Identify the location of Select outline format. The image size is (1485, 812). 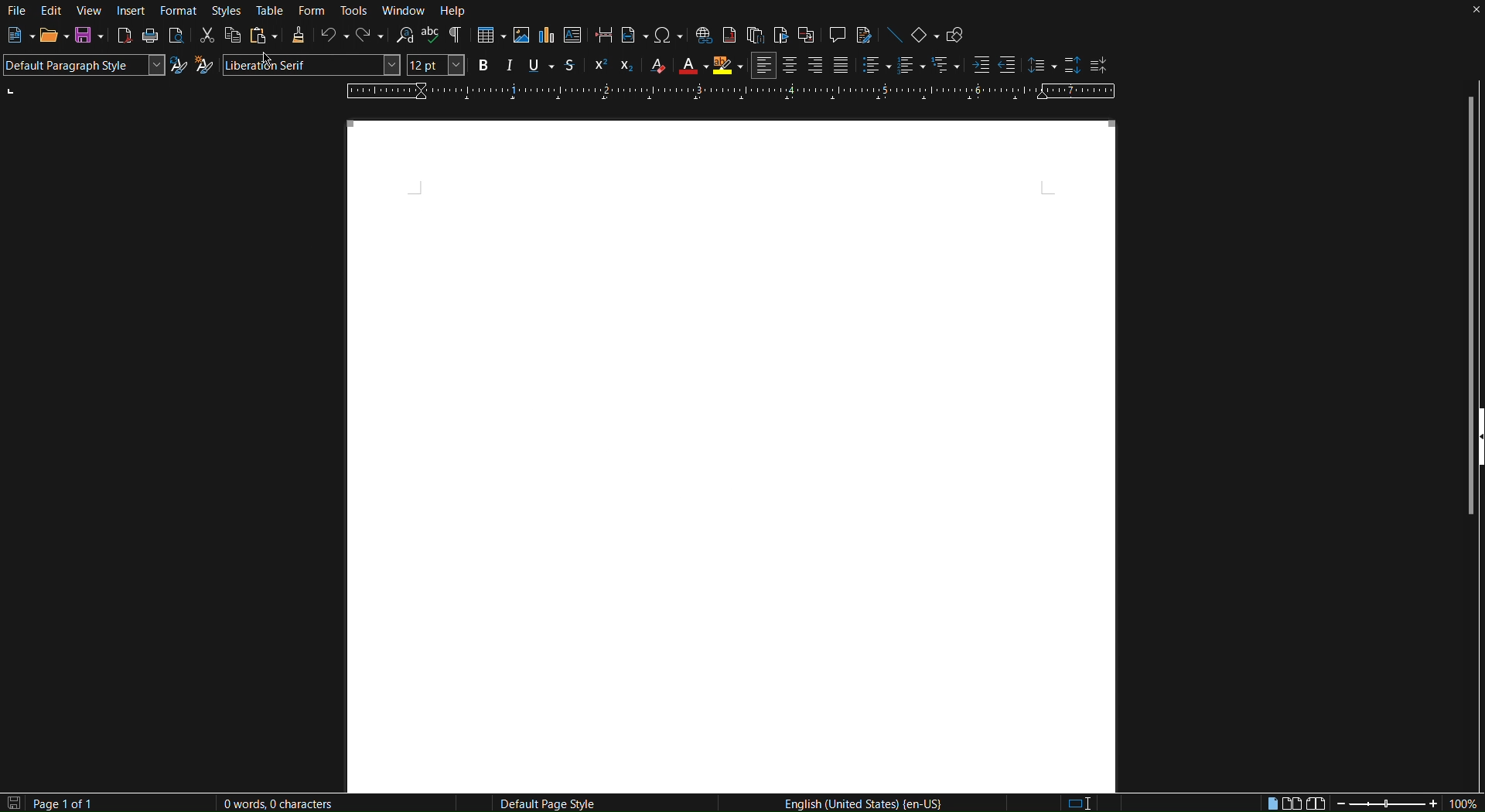
(945, 67).